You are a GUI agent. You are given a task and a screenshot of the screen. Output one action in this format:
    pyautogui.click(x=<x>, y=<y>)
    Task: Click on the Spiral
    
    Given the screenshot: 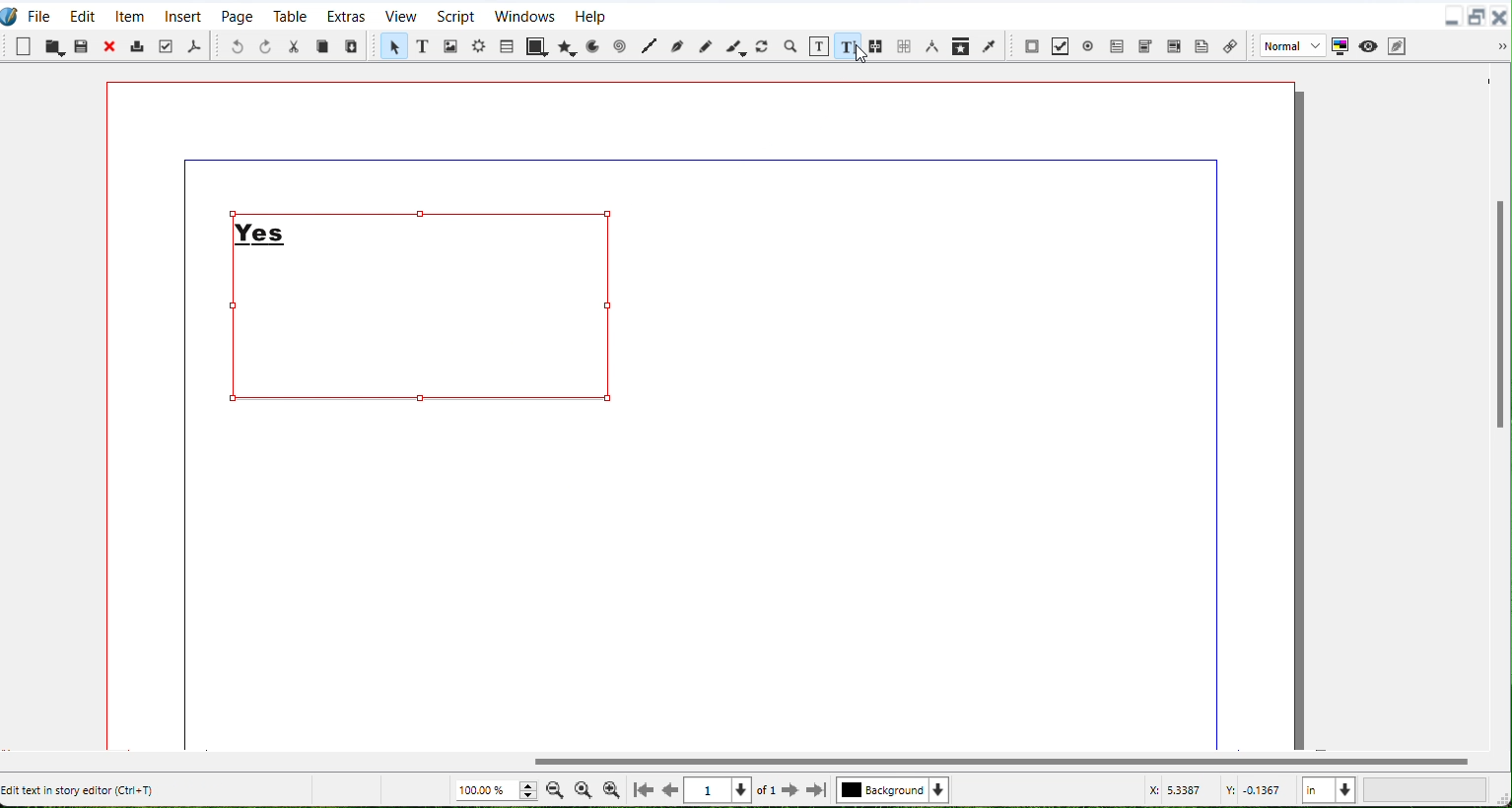 What is the action you would take?
    pyautogui.click(x=620, y=46)
    